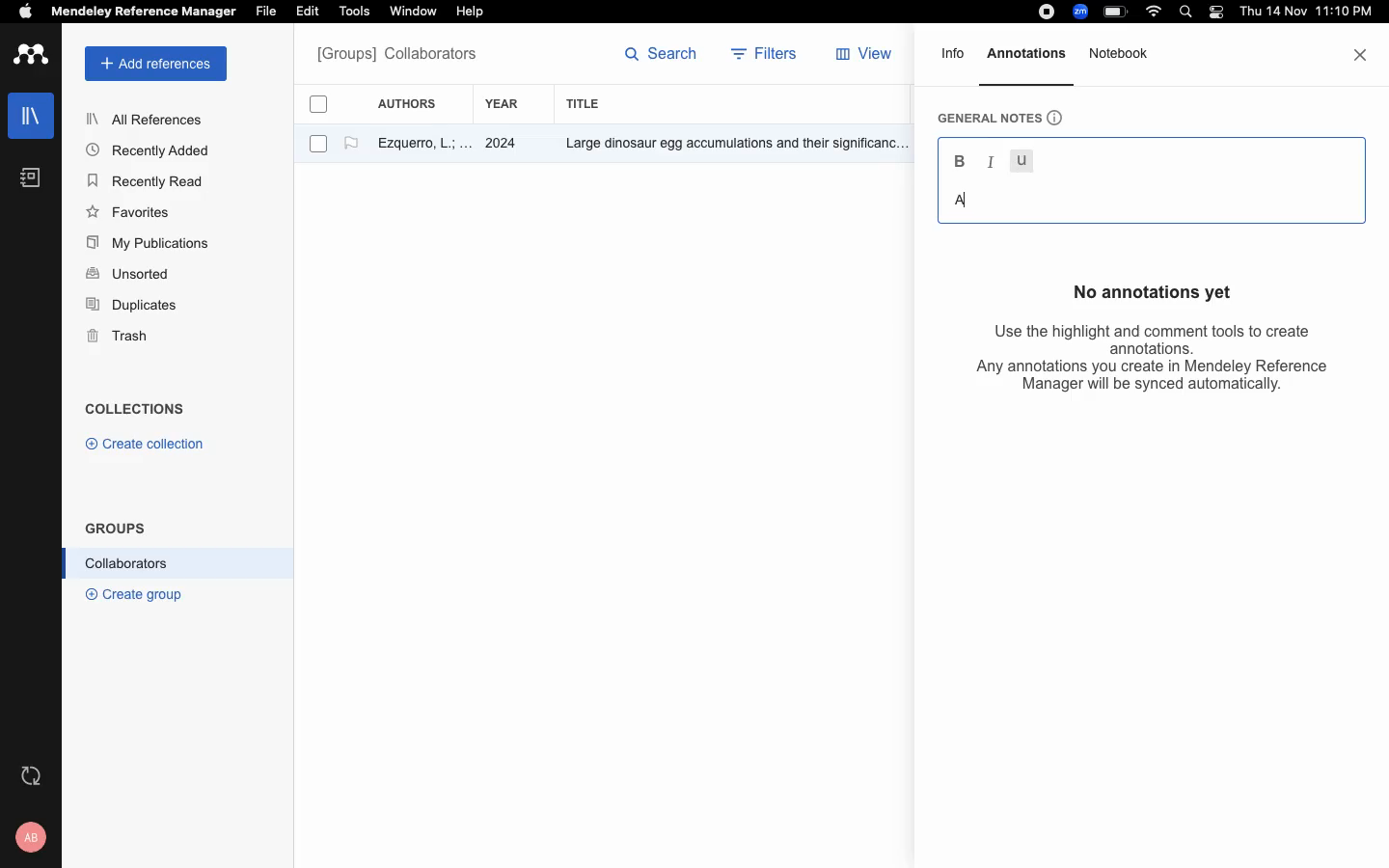 The height and width of the screenshot is (868, 1389). What do you see at coordinates (1029, 53) in the screenshot?
I see `annotations` at bounding box center [1029, 53].